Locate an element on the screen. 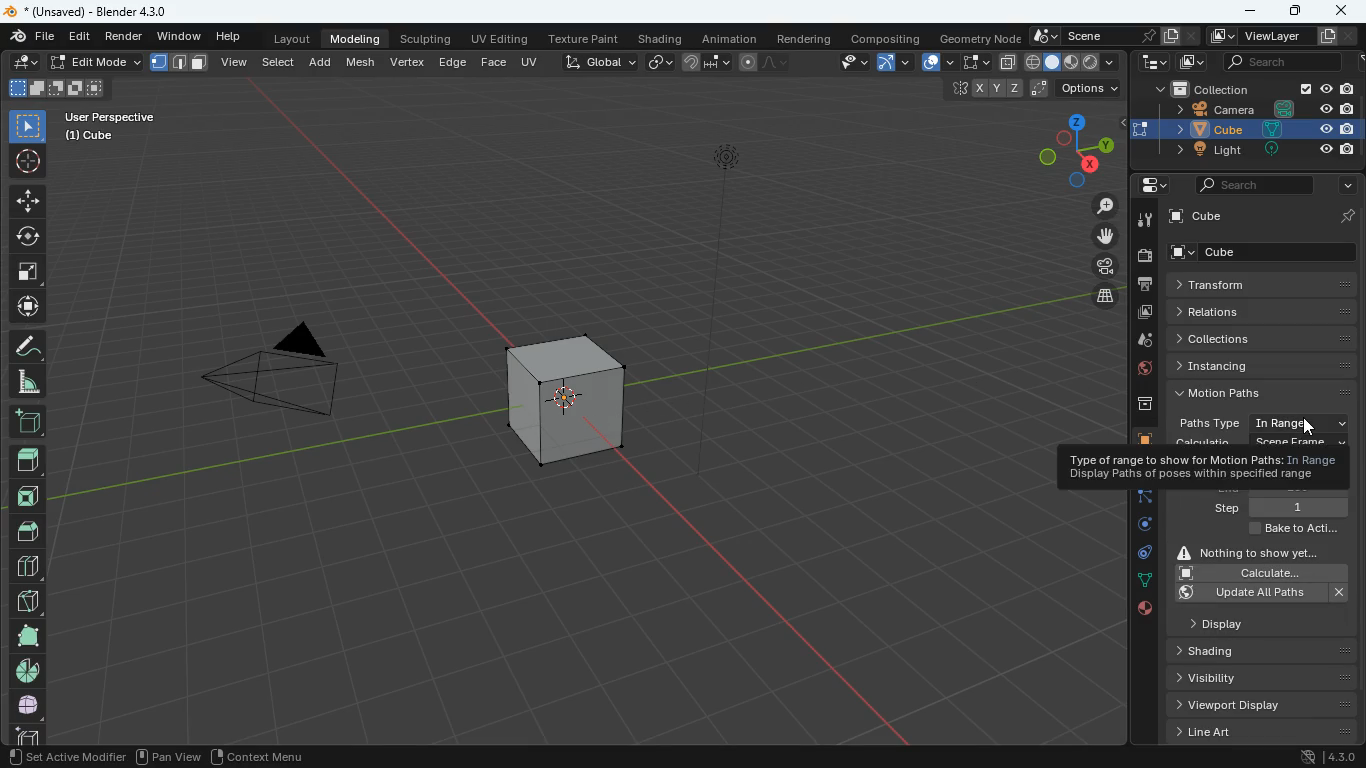 The width and height of the screenshot is (1366, 768). bake is located at coordinates (1289, 530).